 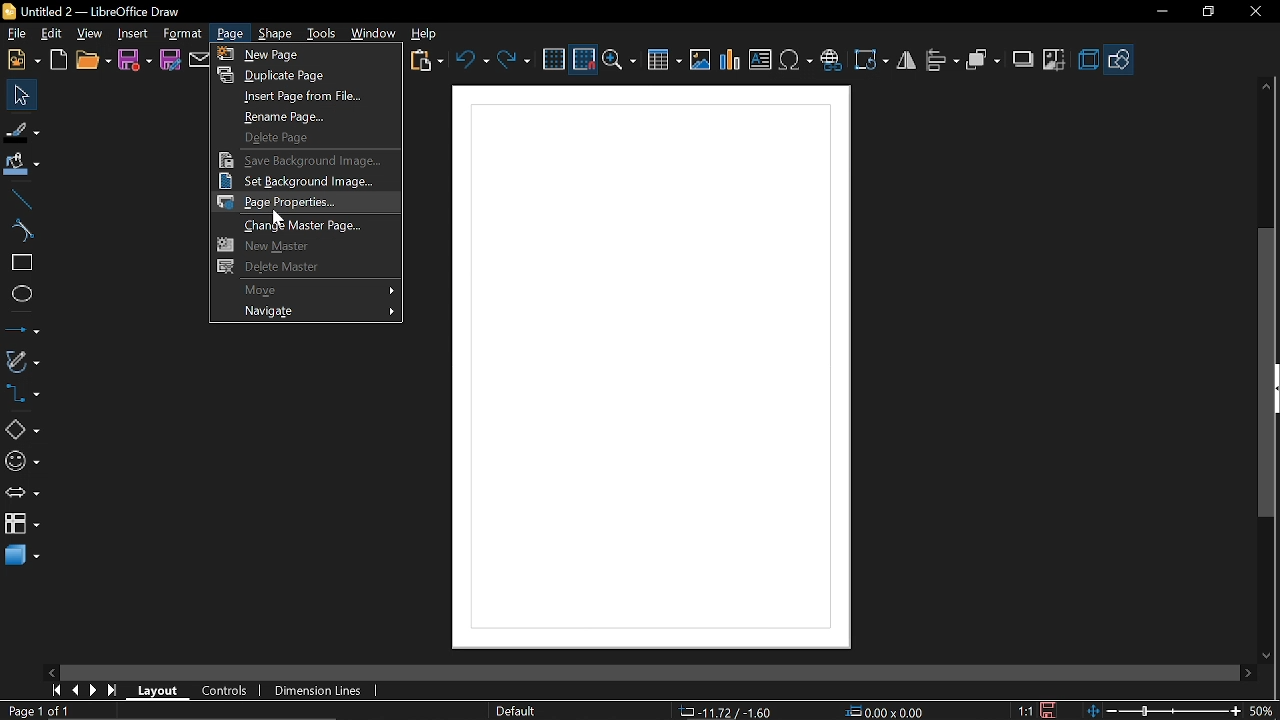 What do you see at coordinates (89, 35) in the screenshot?
I see `View` at bounding box center [89, 35].